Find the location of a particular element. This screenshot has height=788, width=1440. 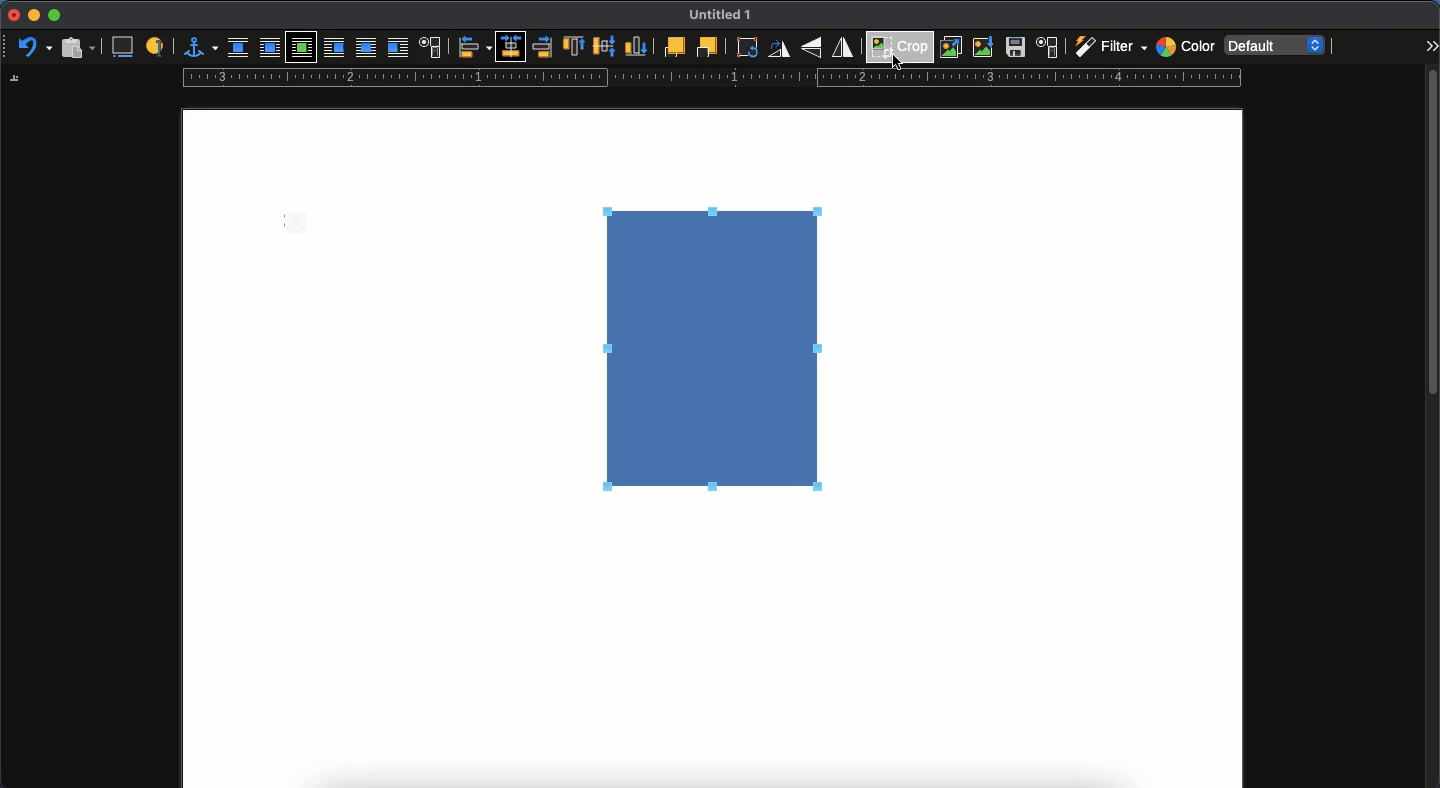

minimize is located at coordinates (33, 15).